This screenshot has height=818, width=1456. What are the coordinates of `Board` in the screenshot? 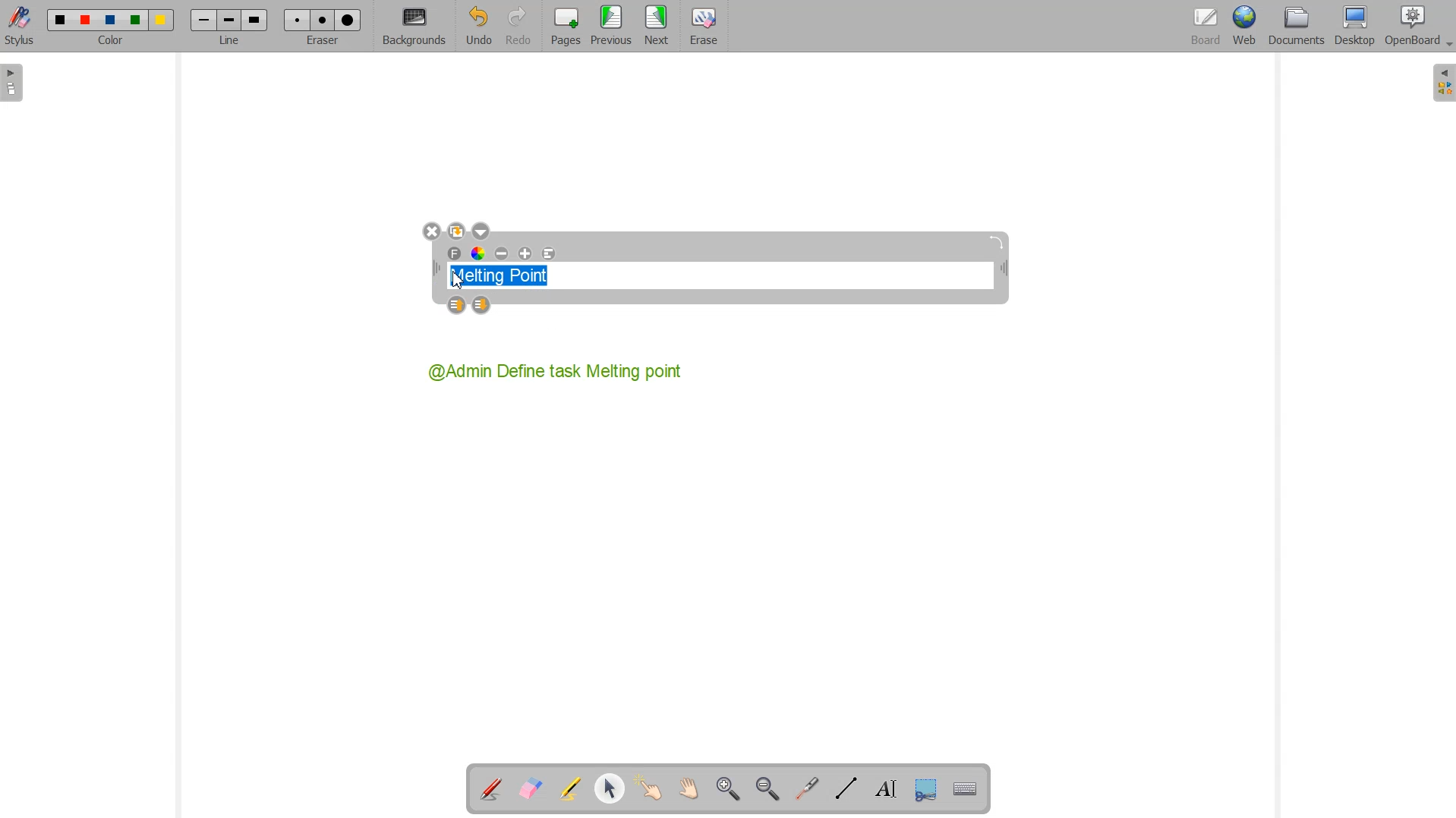 It's located at (1203, 27).